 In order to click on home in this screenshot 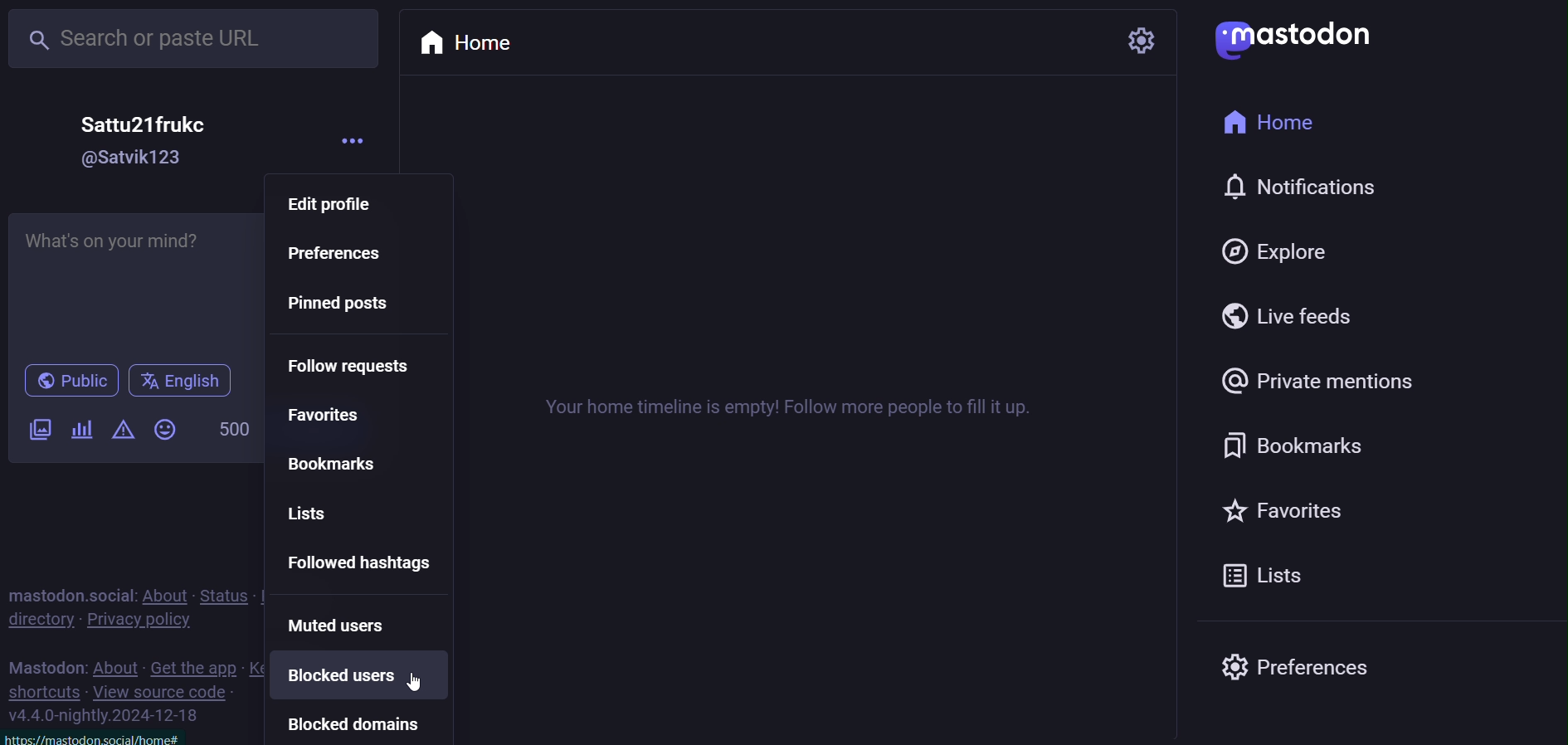, I will do `click(1278, 123)`.